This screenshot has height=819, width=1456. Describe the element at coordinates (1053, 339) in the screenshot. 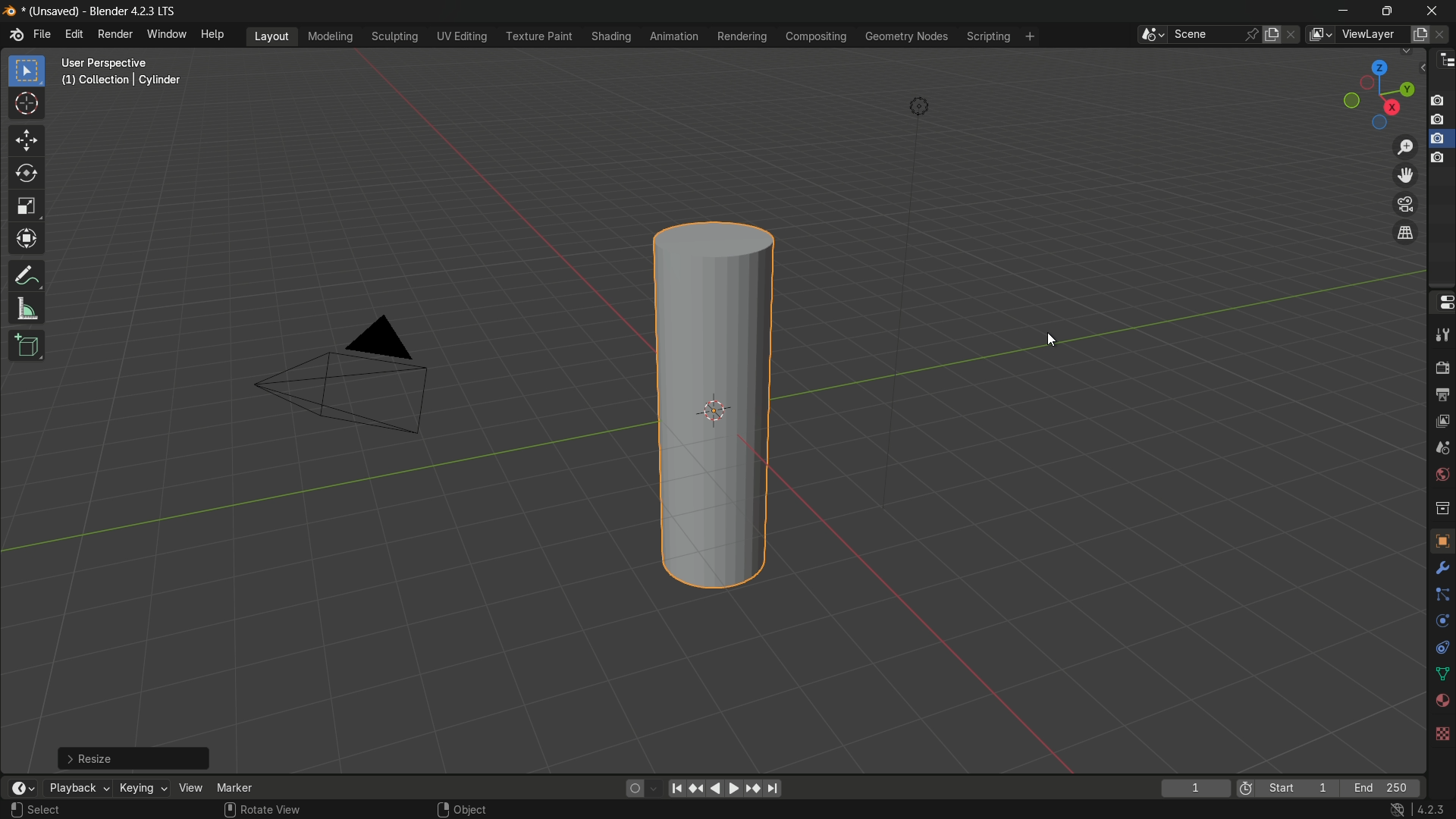

I see `cursor` at that location.